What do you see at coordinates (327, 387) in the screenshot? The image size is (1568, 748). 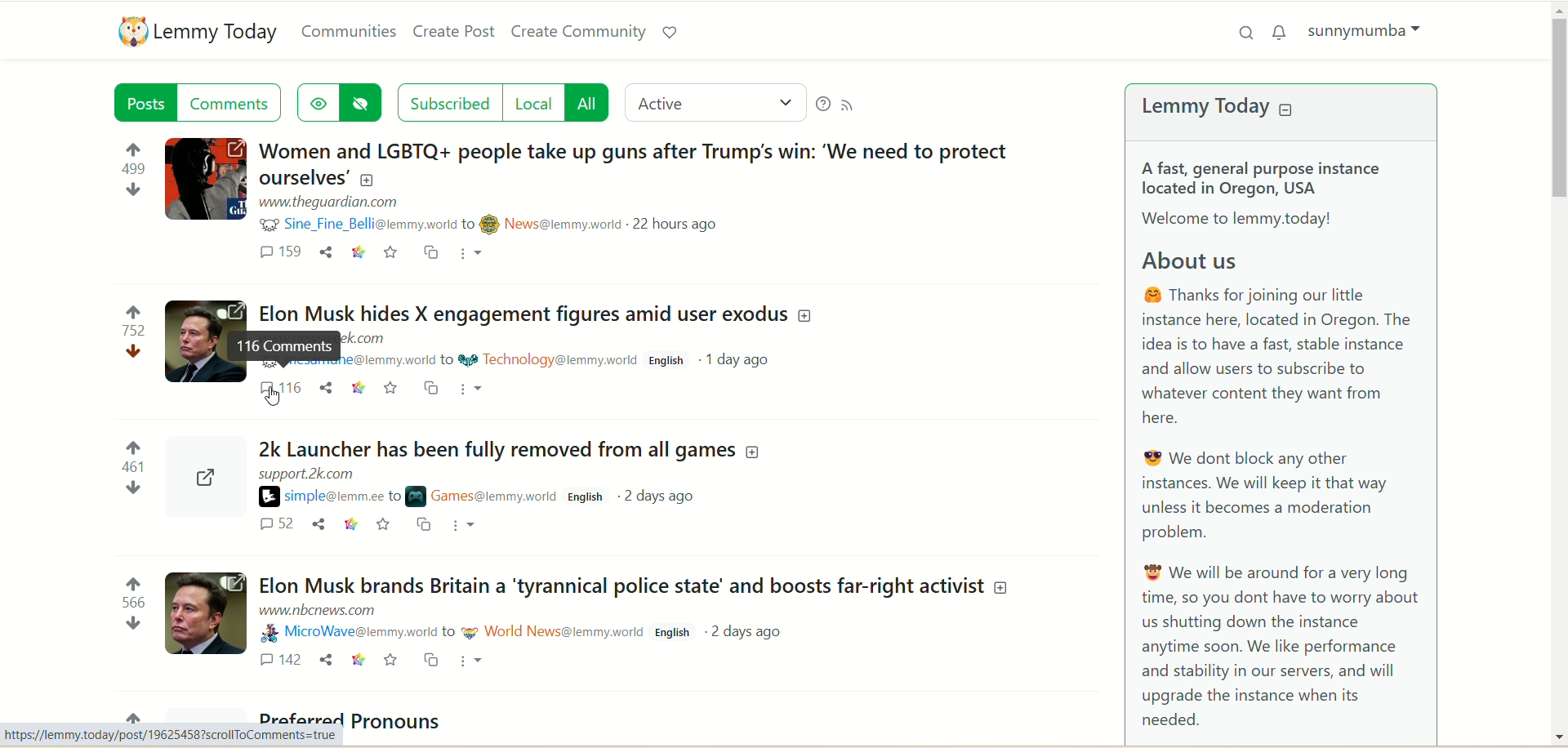 I see `share` at bounding box center [327, 387].